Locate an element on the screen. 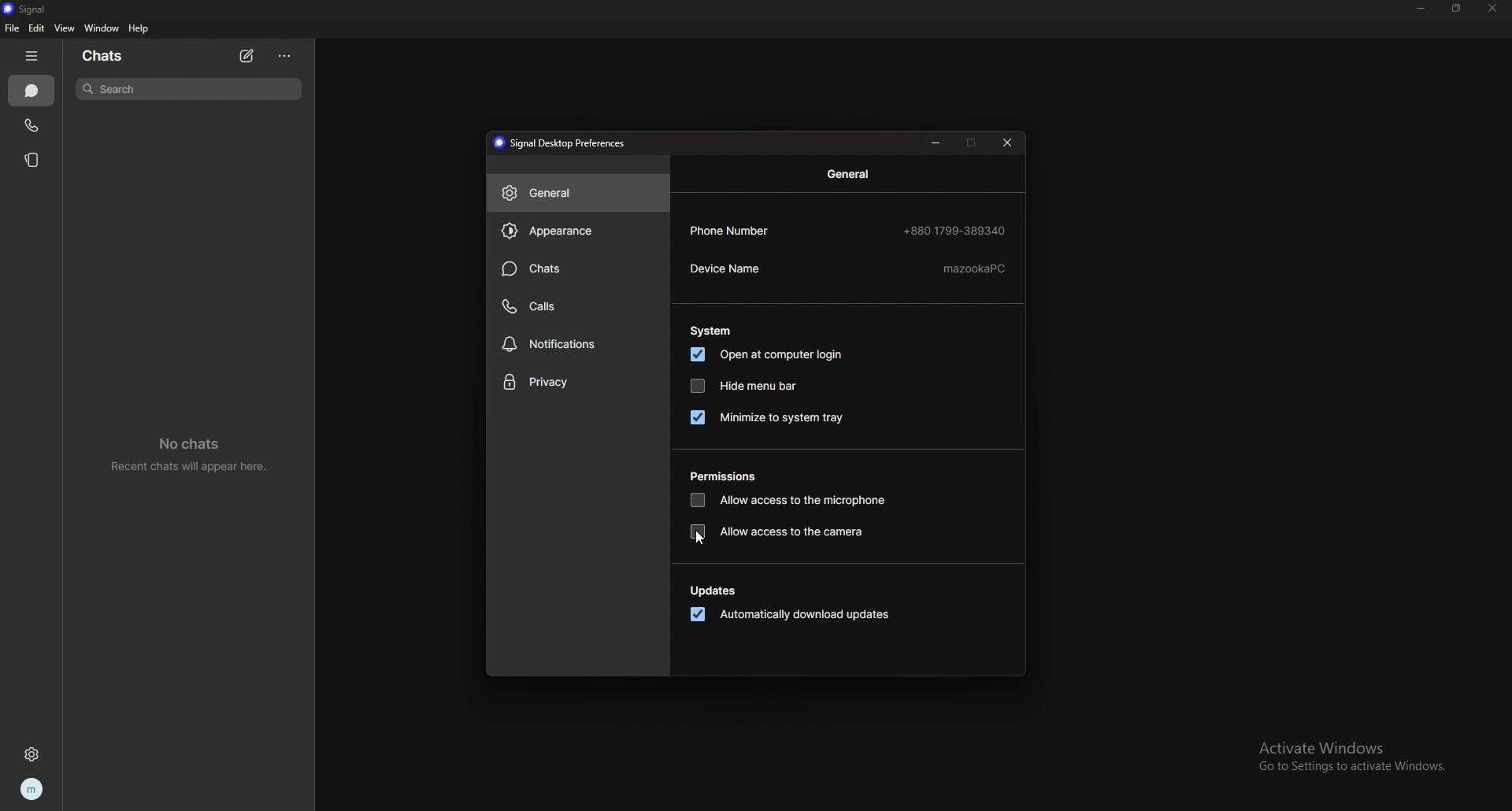 This screenshot has height=811, width=1512. settings is located at coordinates (31, 754).